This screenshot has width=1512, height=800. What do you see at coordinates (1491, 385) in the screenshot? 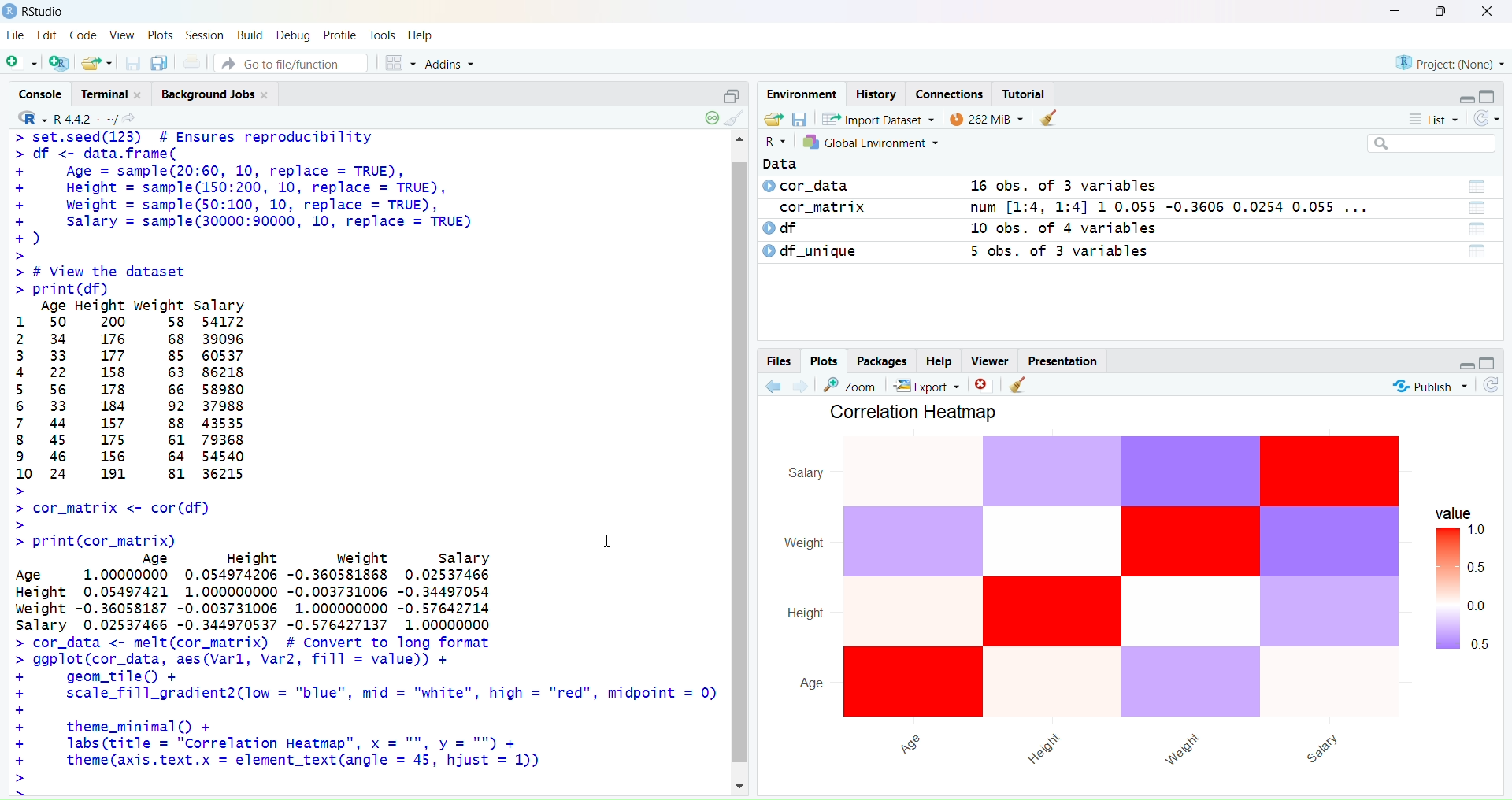
I see `Refresh file listing` at bounding box center [1491, 385].